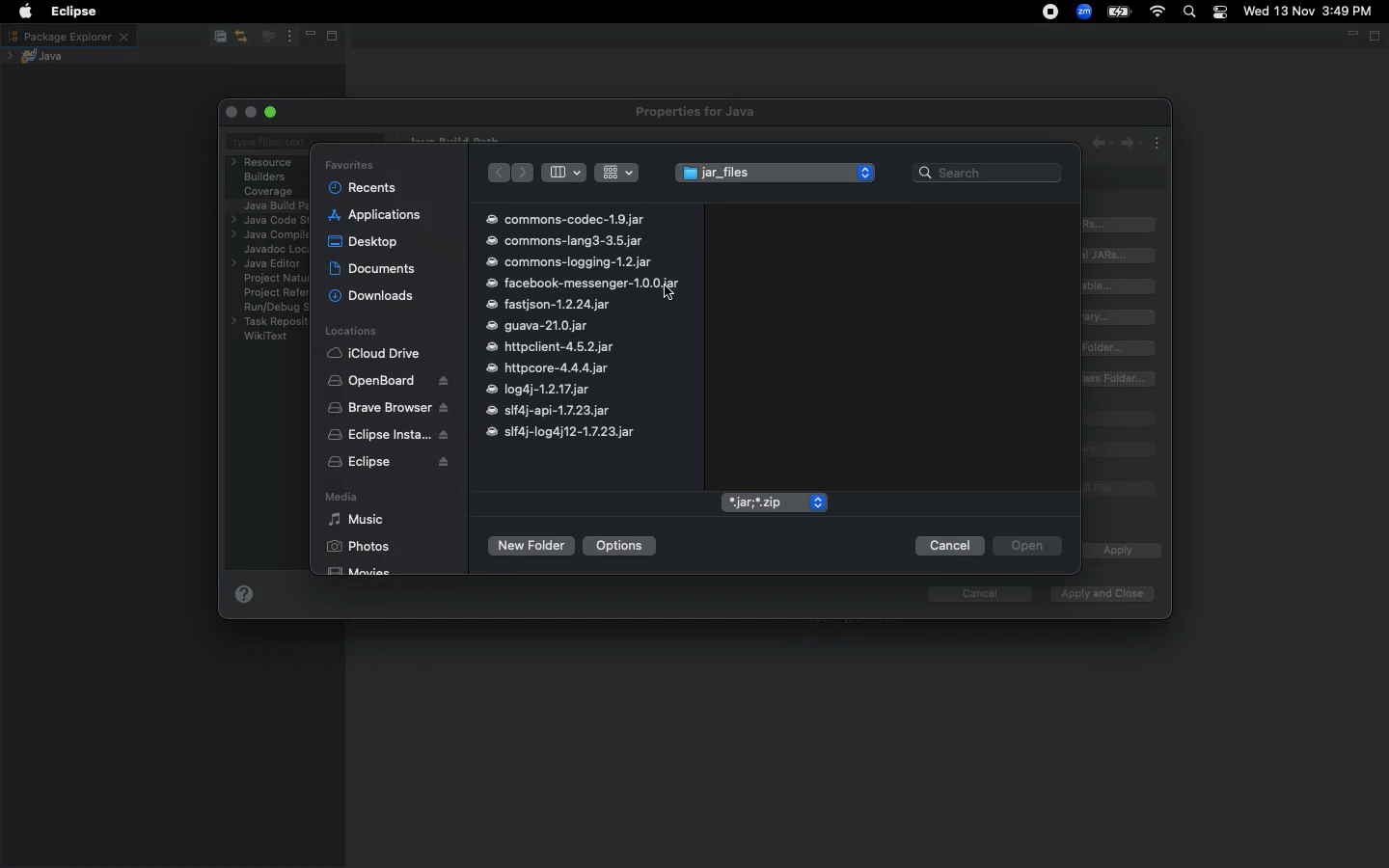 Image resolution: width=1389 pixels, height=868 pixels. Describe the element at coordinates (1120, 379) in the screenshot. I see `Add external class folder` at that location.